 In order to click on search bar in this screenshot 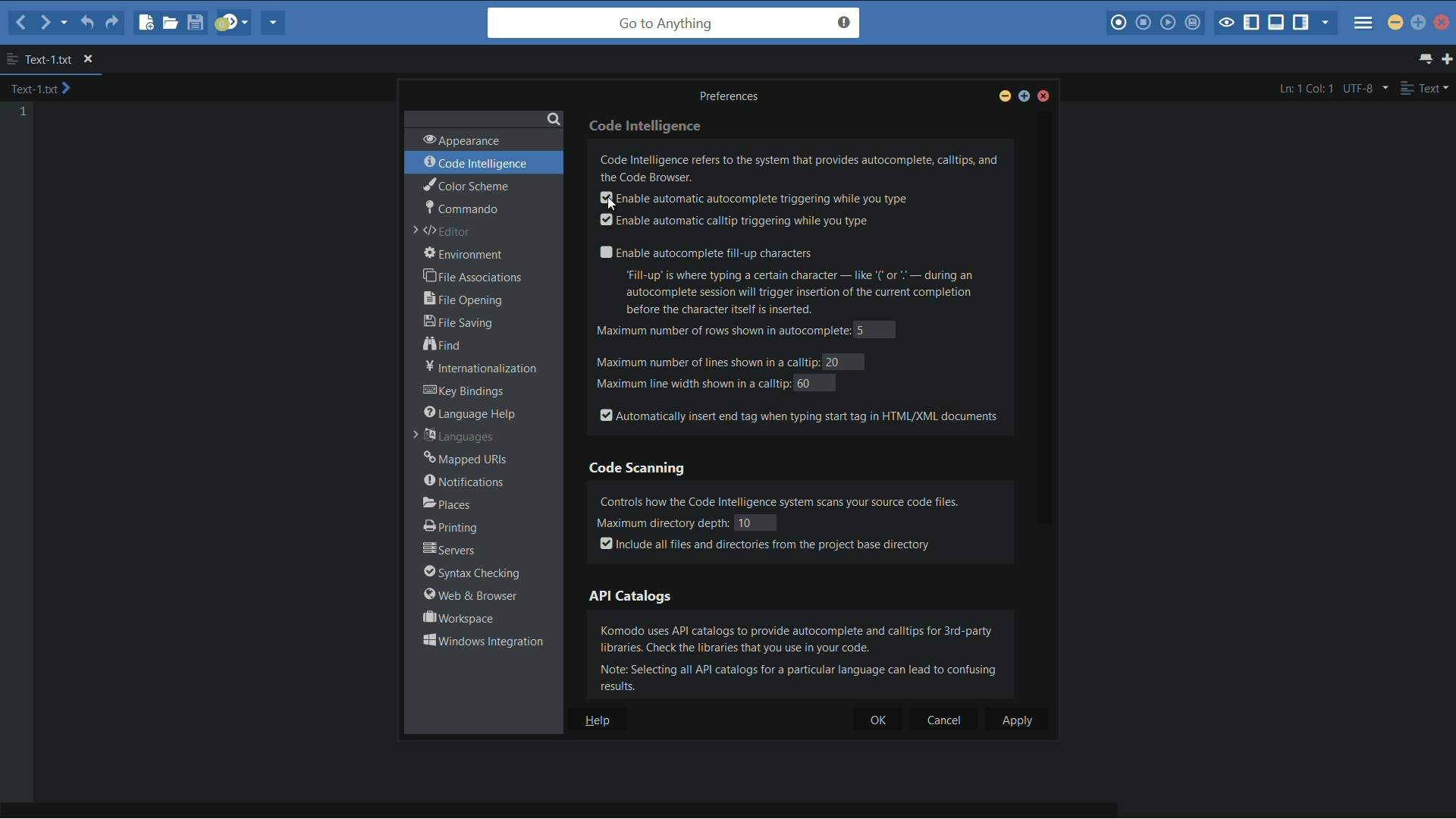, I will do `click(483, 117)`.